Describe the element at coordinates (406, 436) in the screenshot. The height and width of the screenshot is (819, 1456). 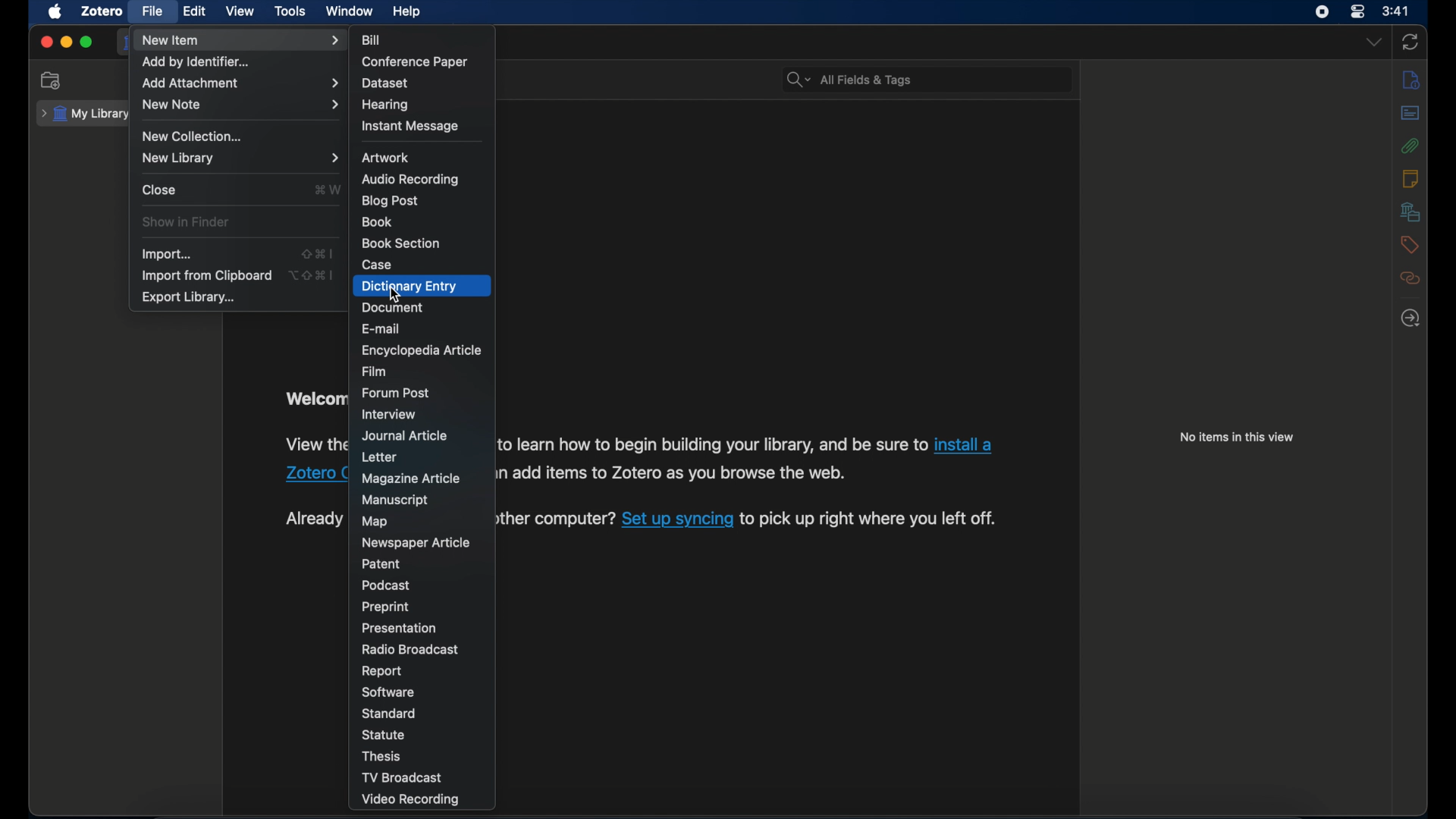
I see `journal article` at that location.